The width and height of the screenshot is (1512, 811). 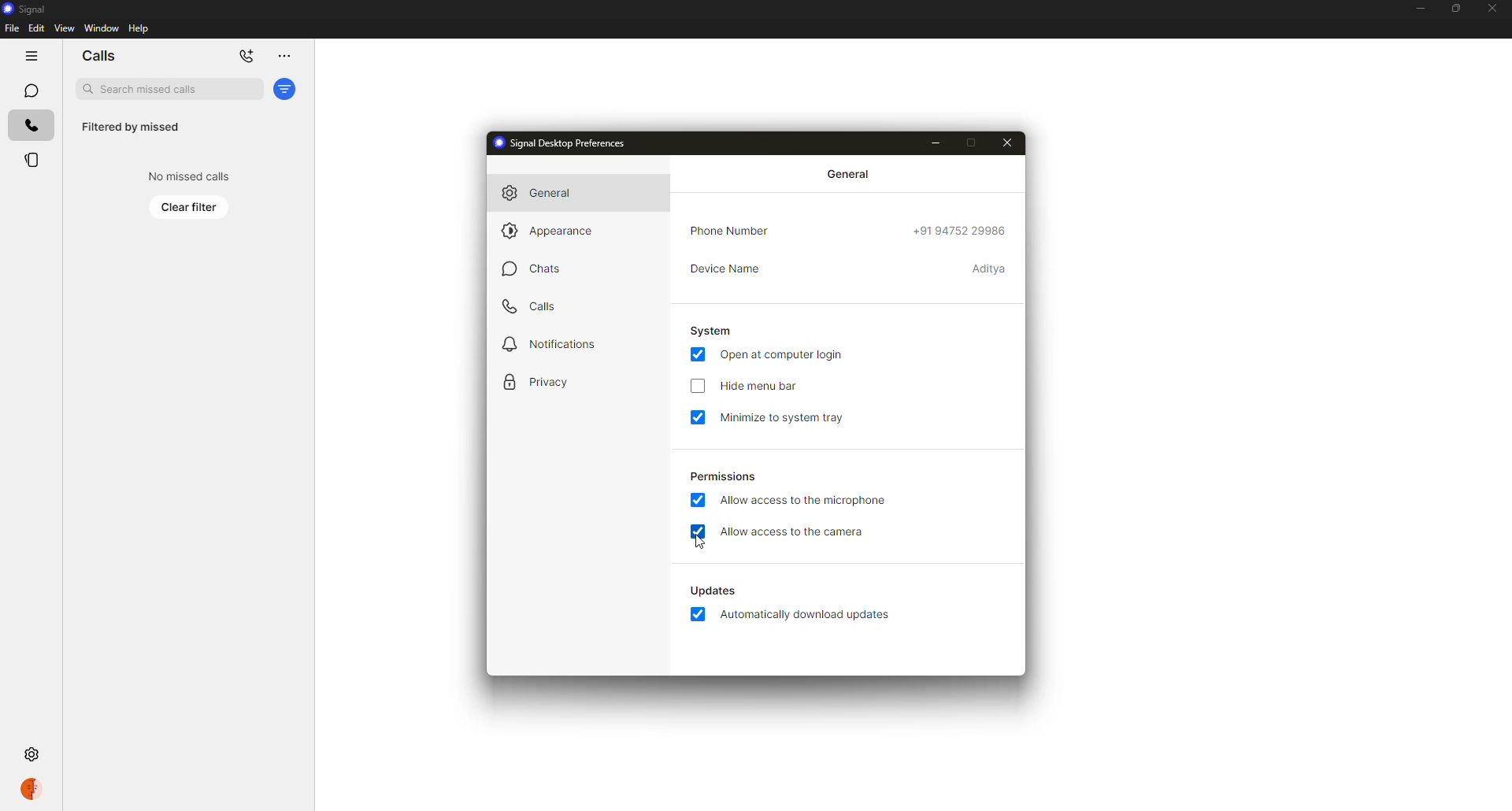 I want to click on signal desktop preferences, so click(x=568, y=143).